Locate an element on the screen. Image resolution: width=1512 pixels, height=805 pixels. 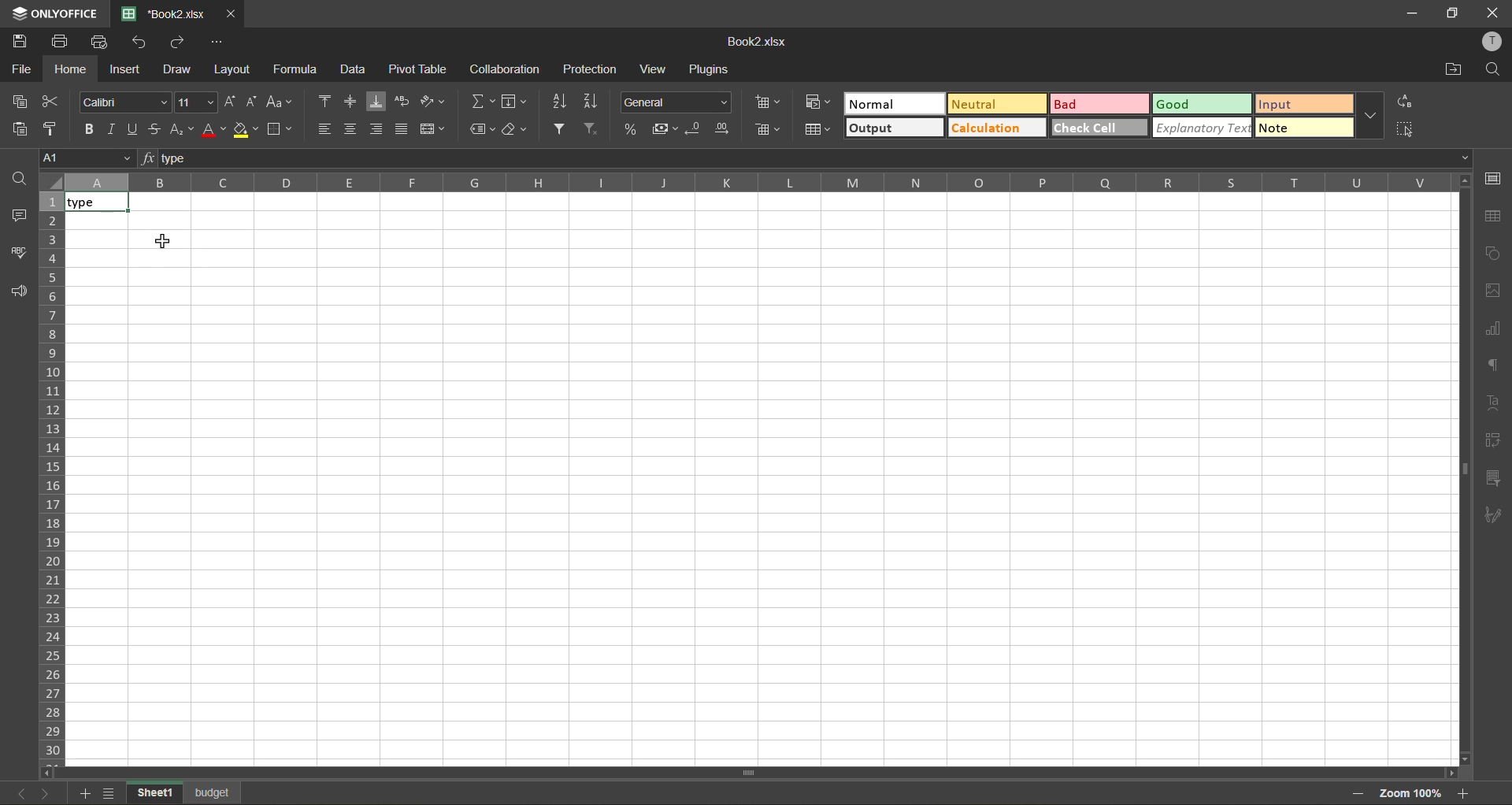
print is located at coordinates (63, 42).